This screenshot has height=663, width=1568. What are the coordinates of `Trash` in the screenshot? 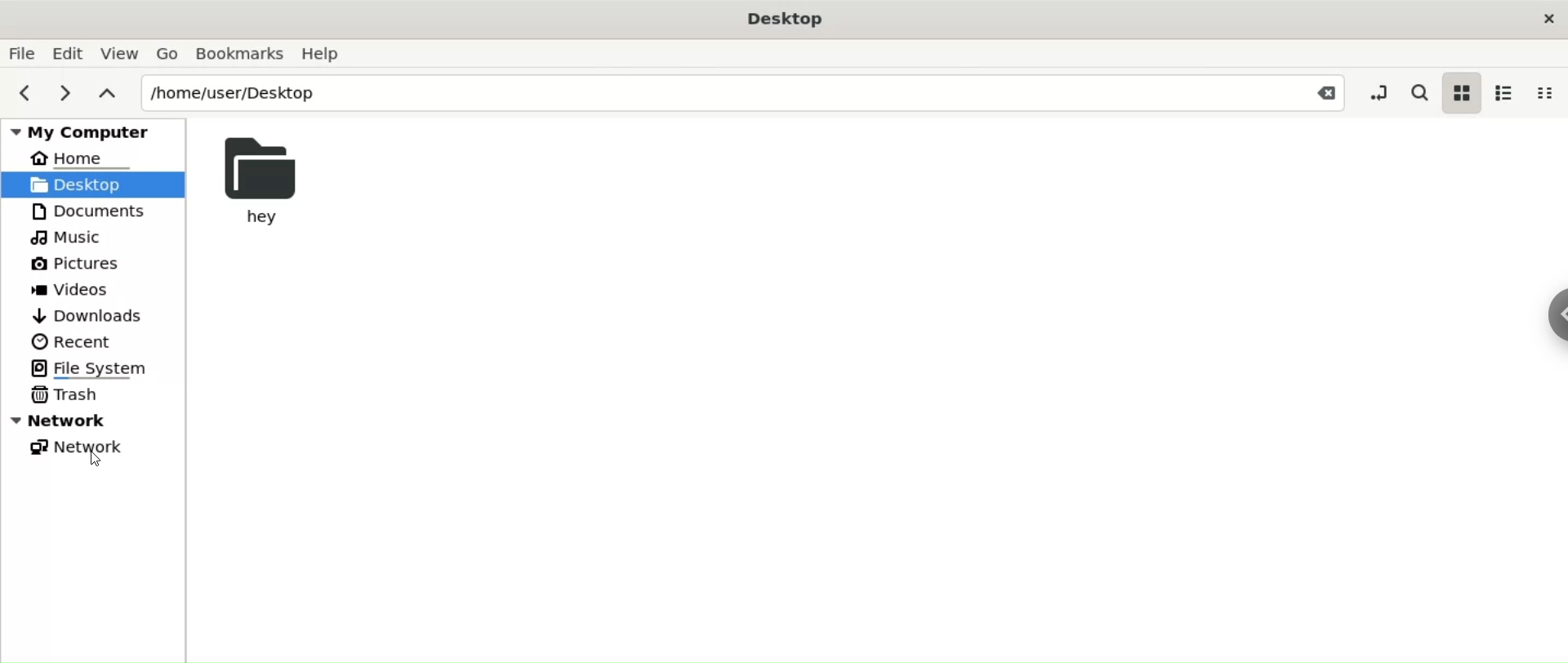 It's located at (72, 393).